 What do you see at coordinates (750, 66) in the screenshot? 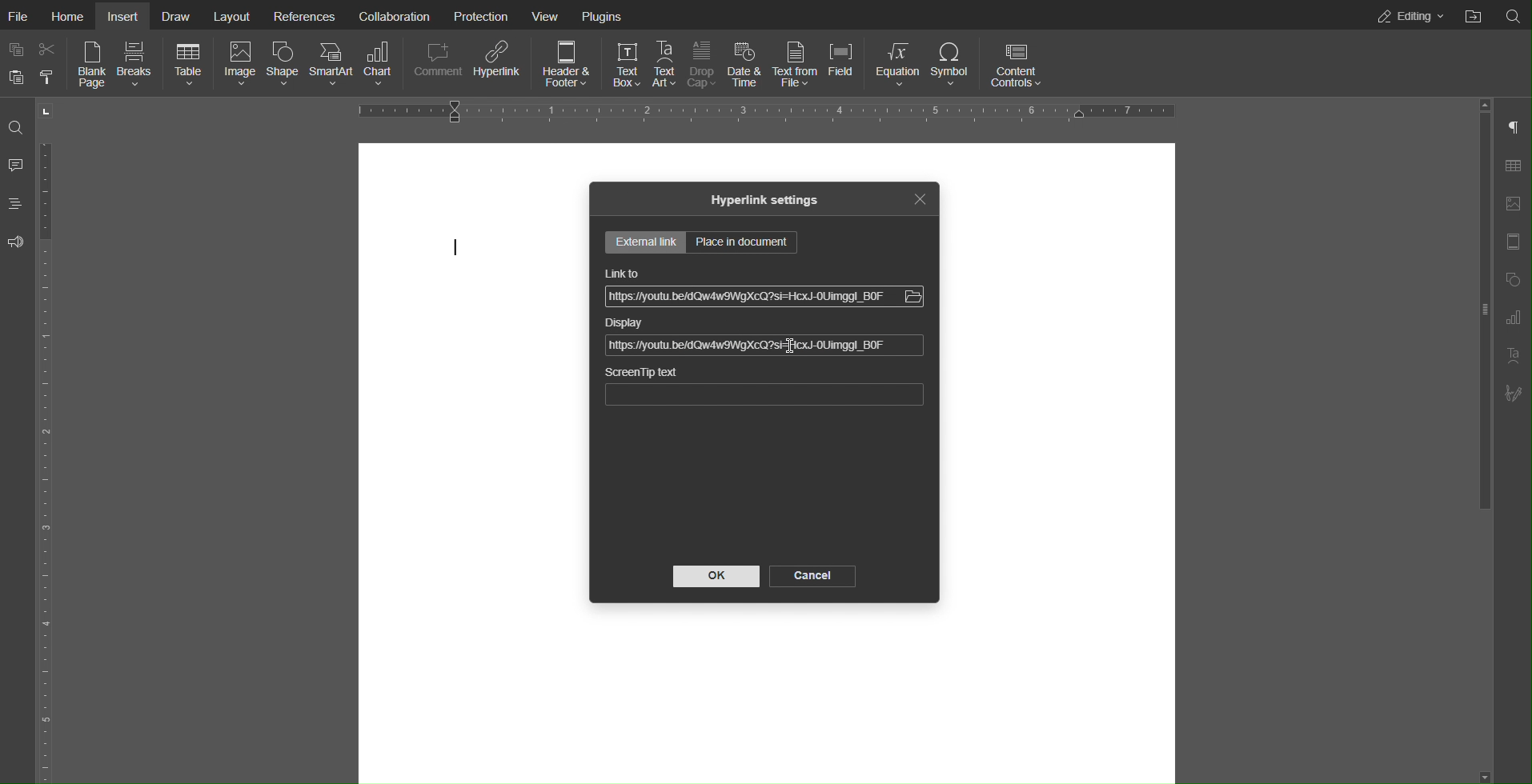
I see `Date & Time` at bounding box center [750, 66].